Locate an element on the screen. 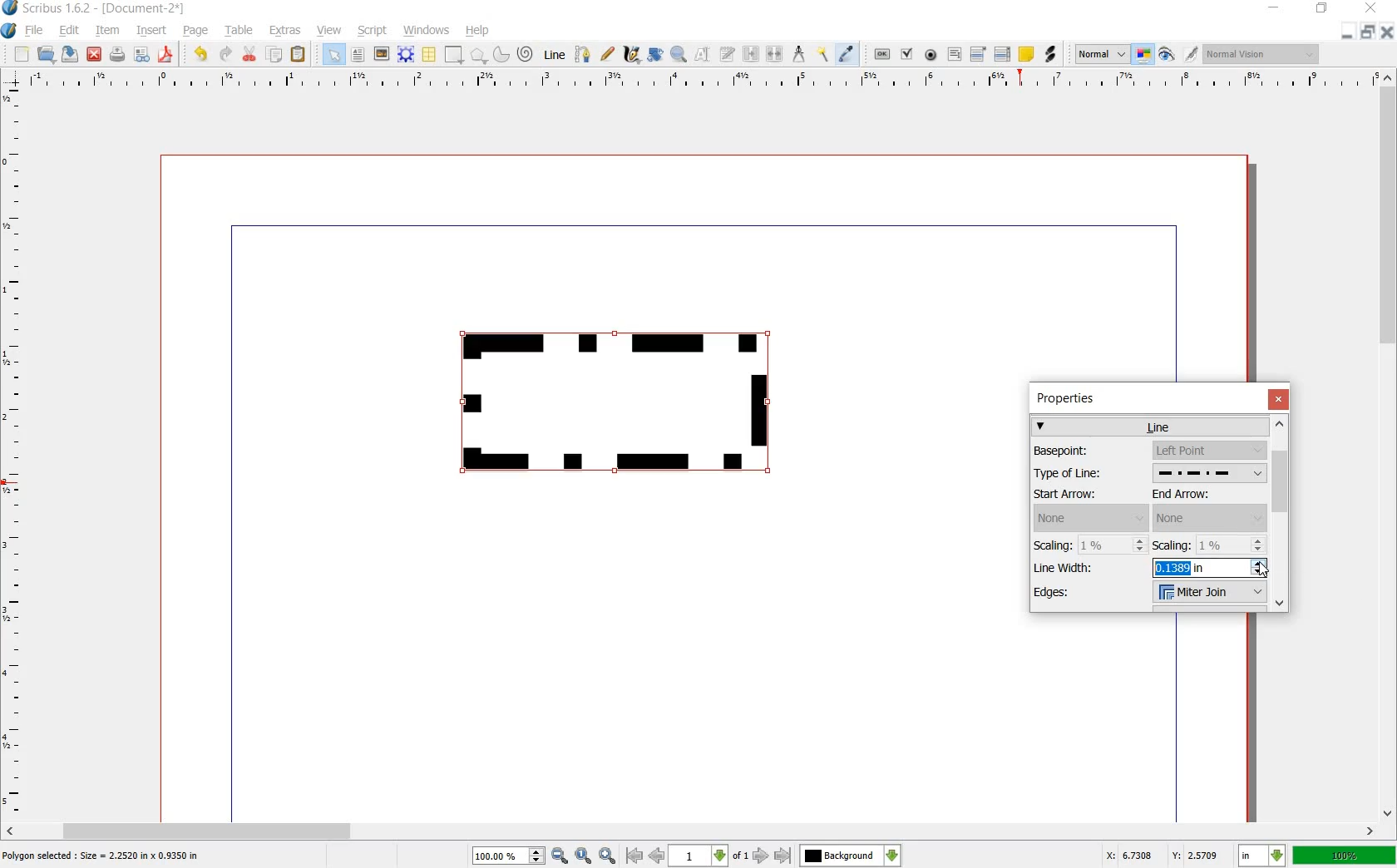 The height and width of the screenshot is (868, 1397). TEXT ANNOATATION is located at coordinates (1025, 55).